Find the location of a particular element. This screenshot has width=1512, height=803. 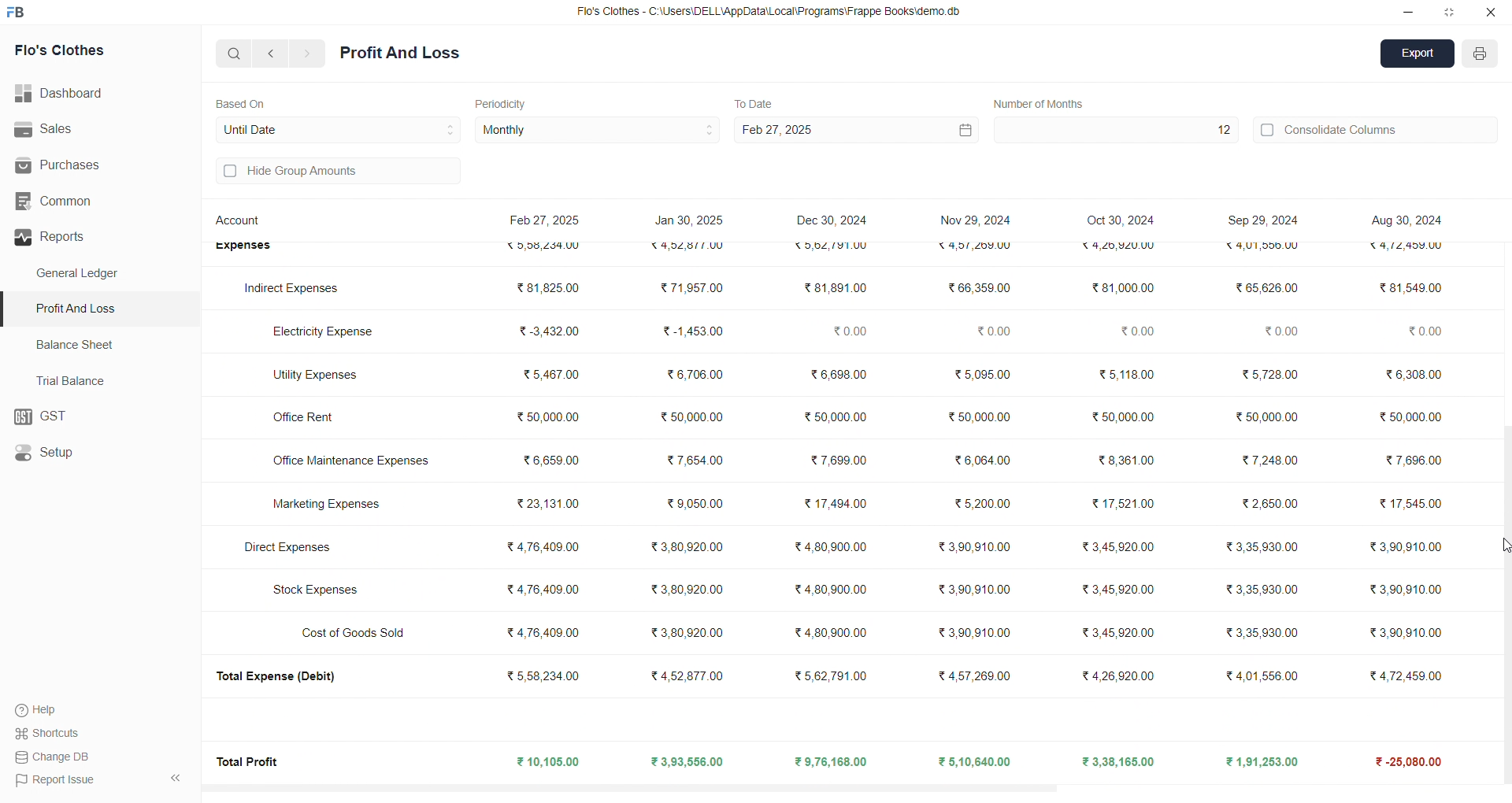

₹3,90,910.00 is located at coordinates (977, 589).